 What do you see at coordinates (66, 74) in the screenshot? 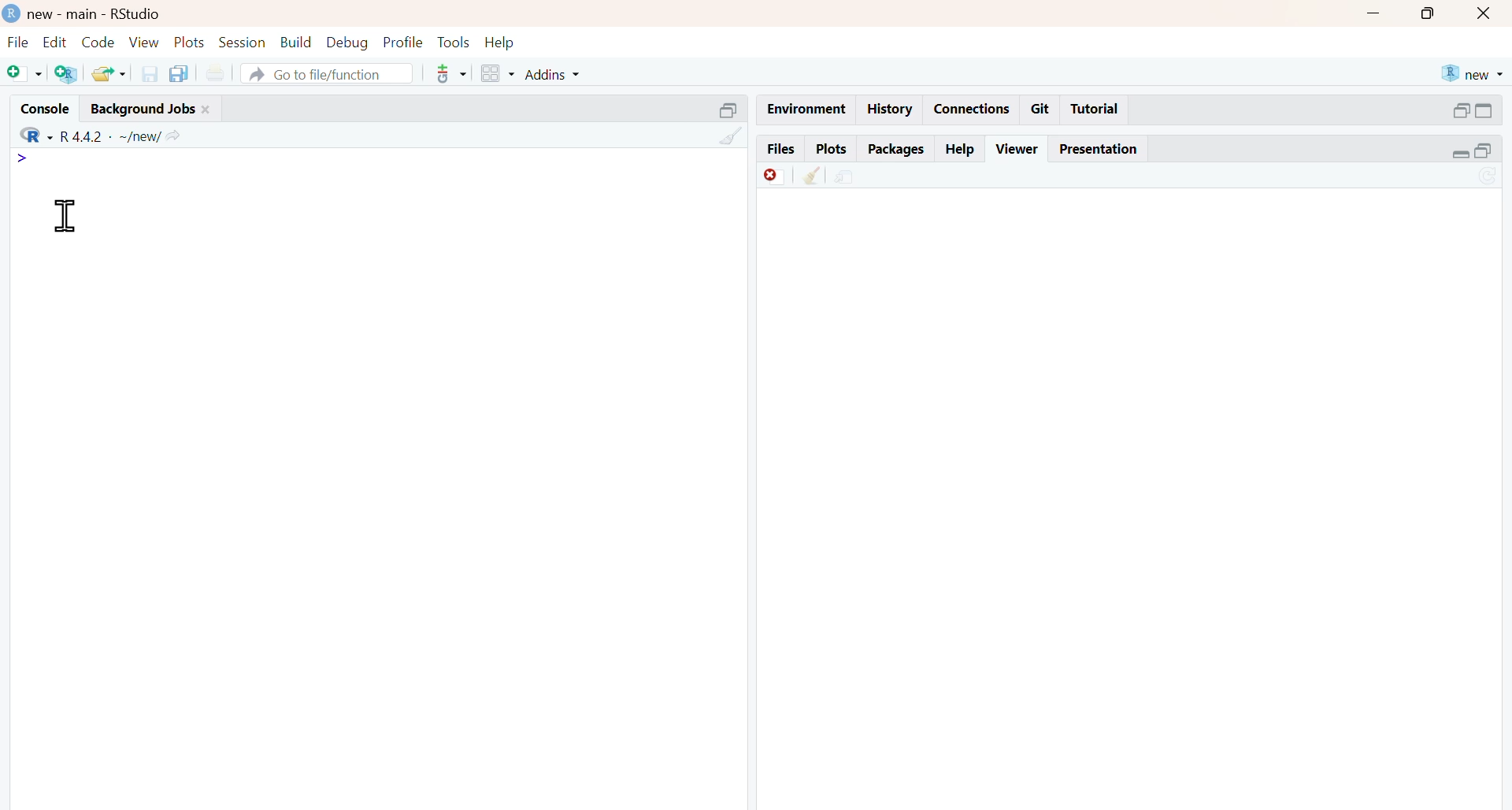
I see `add R file` at bounding box center [66, 74].